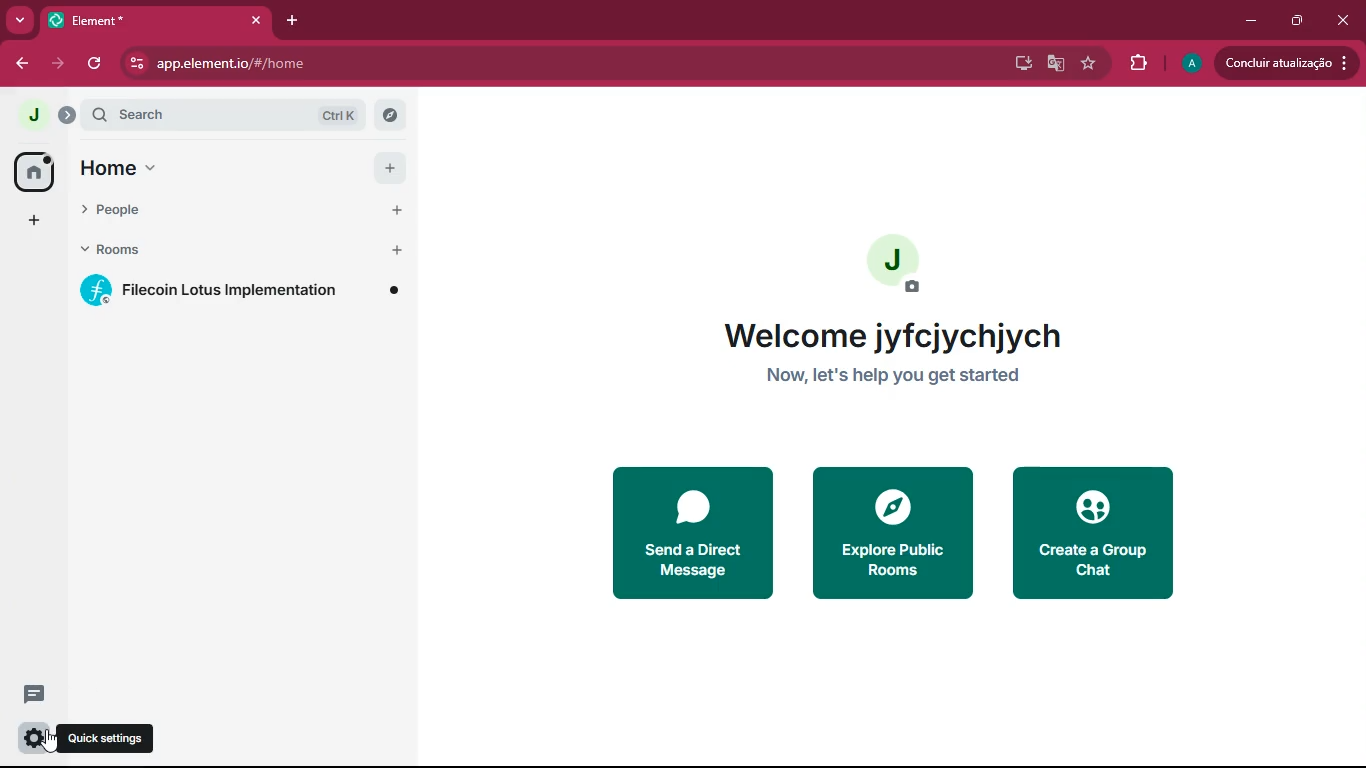  I want to click on maximize, so click(1293, 22).